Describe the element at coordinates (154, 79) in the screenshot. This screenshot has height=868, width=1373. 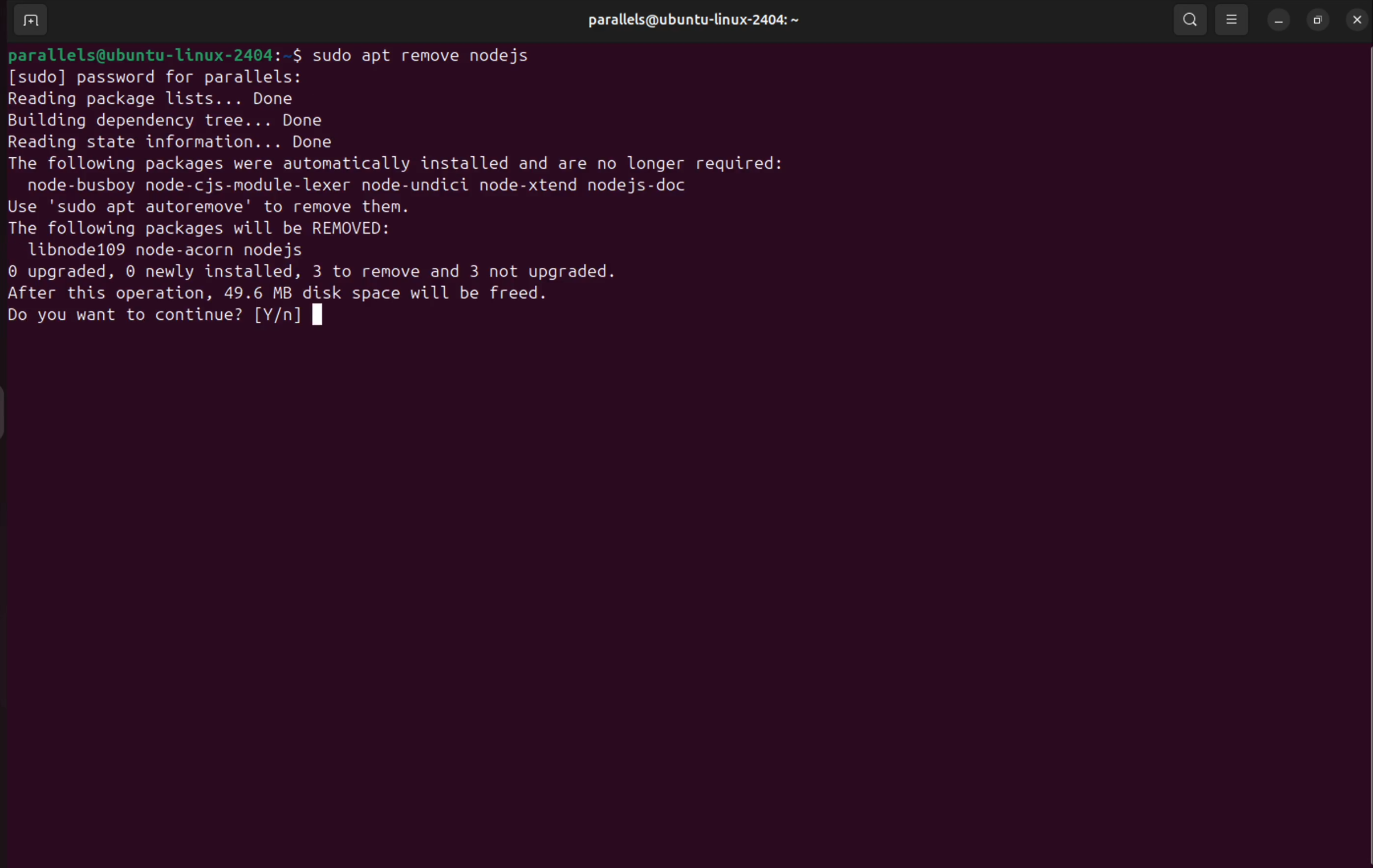
I see `[sudo] password for parallels` at that location.